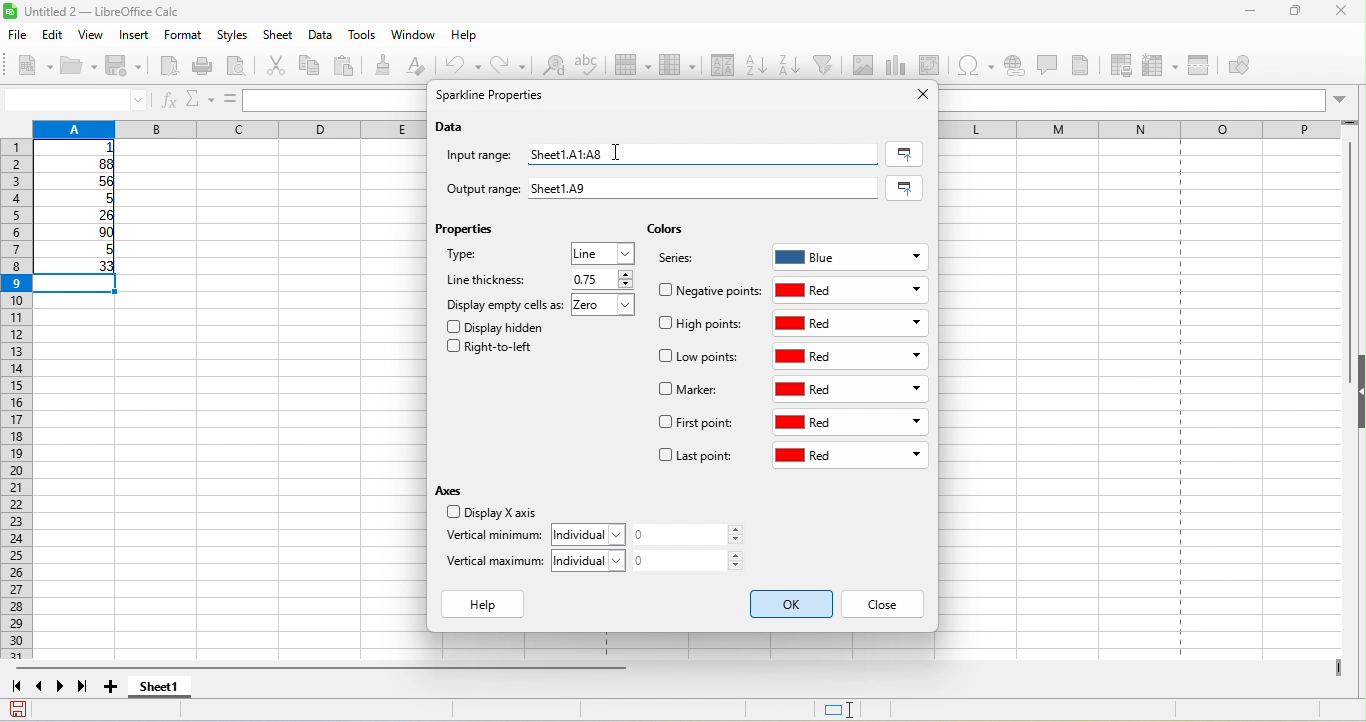  Describe the element at coordinates (1162, 65) in the screenshot. I see `freeze rows and column` at that location.